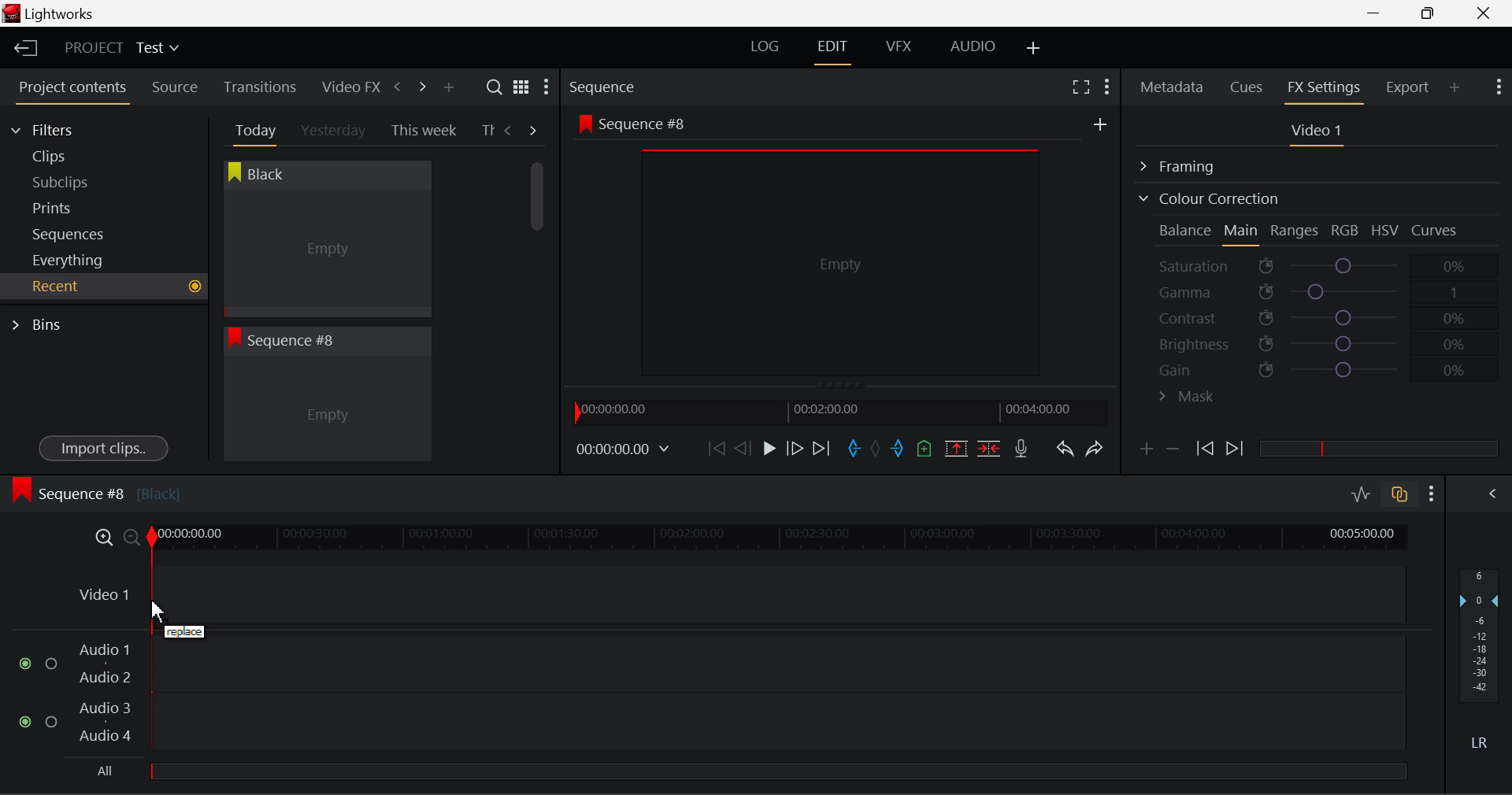 This screenshot has width=1512, height=795. I want to click on Project Timeline, so click(780, 538).